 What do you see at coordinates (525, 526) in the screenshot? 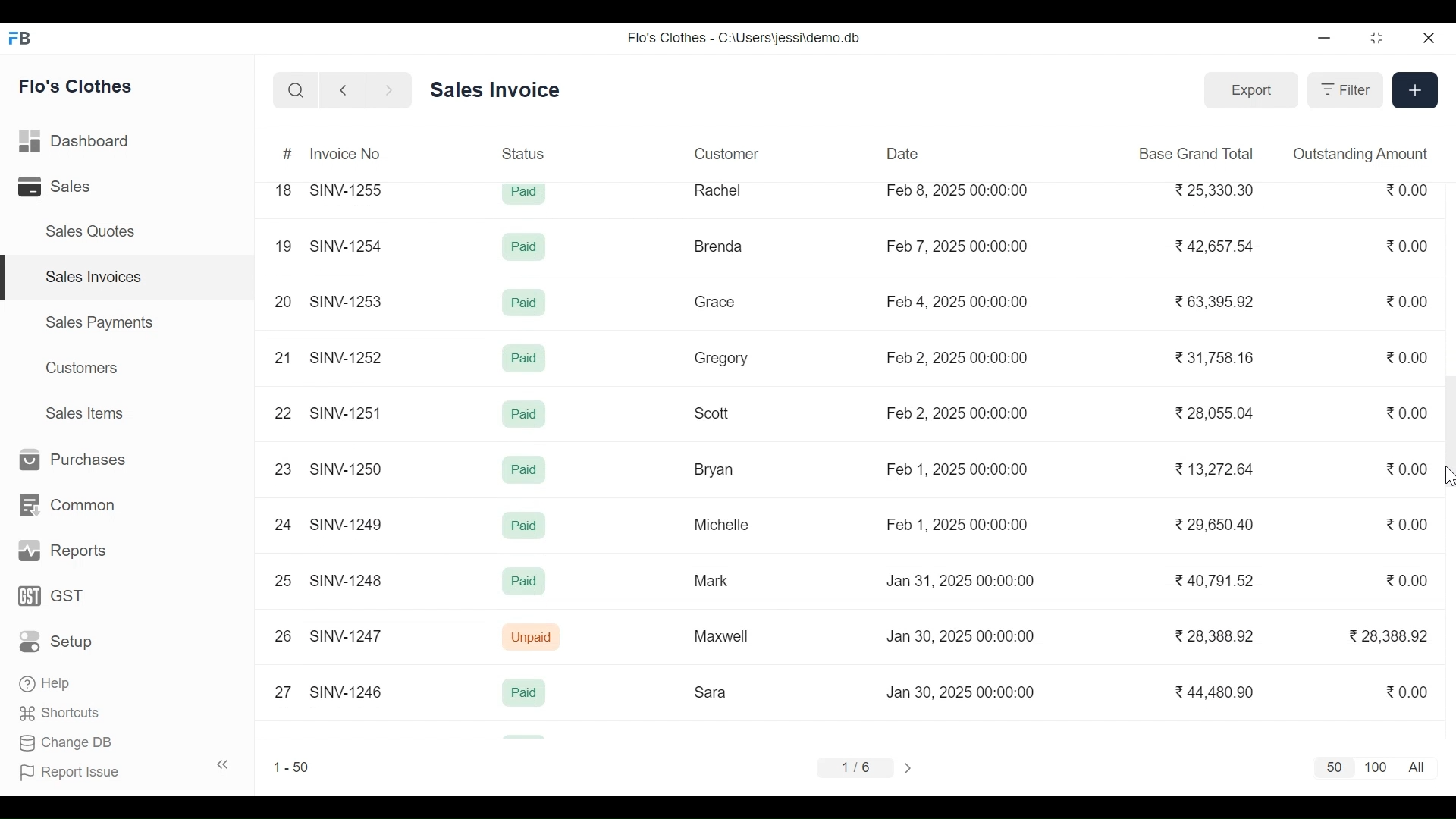
I see `Paid` at bounding box center [525, 526].